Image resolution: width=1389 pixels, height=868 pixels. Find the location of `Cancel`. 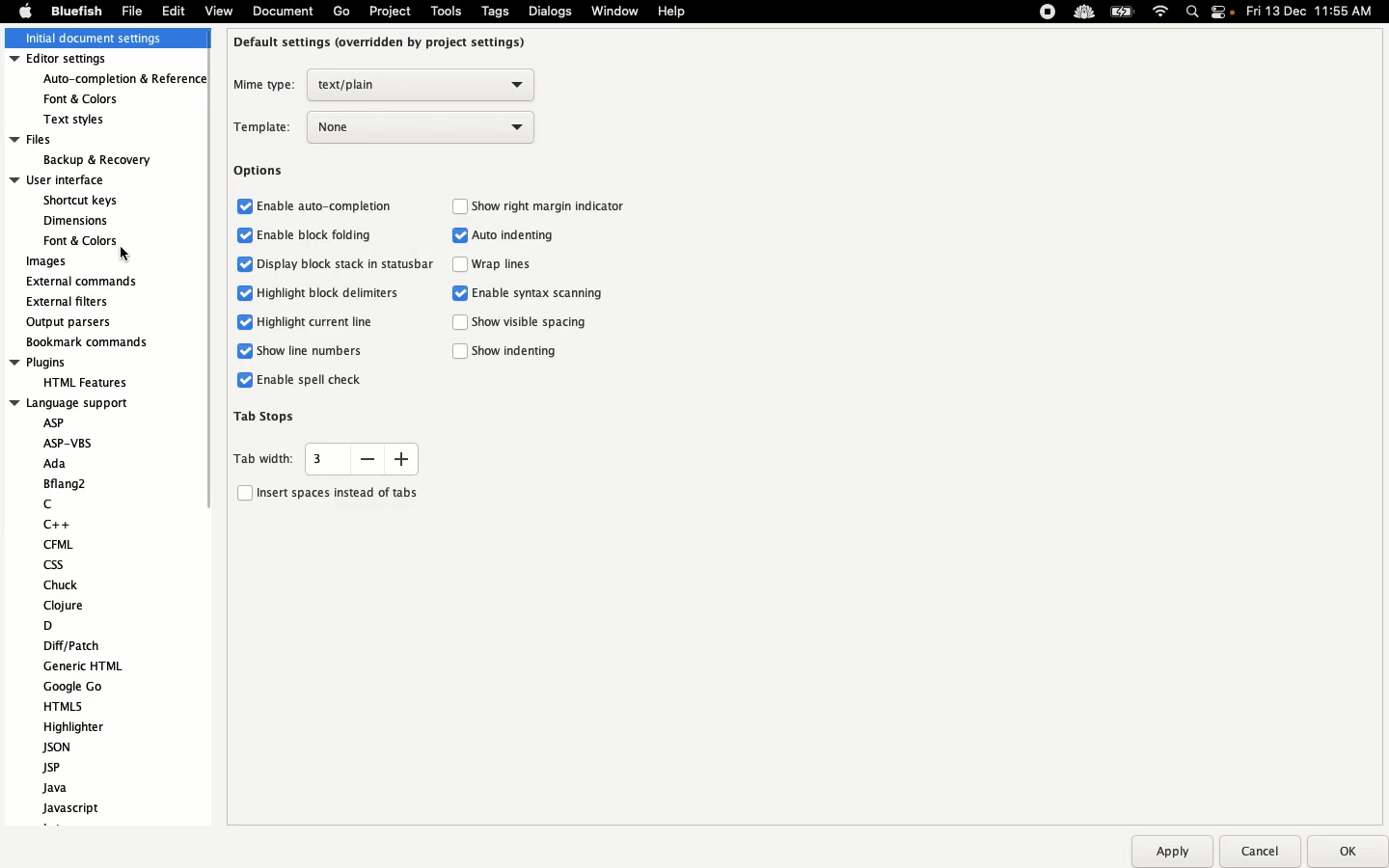

Cancel is located at coordinates (1259, 851).